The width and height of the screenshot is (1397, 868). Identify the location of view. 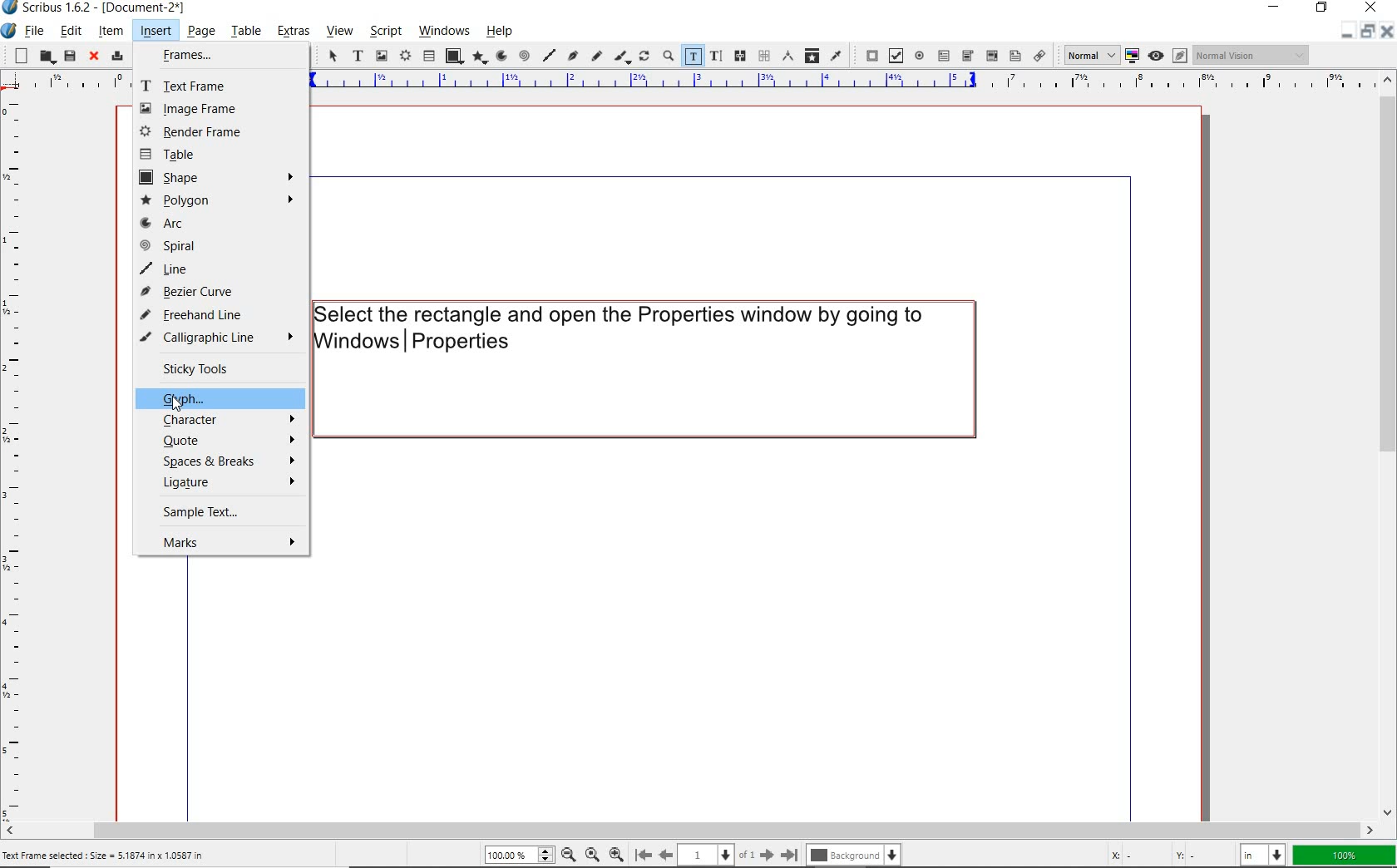
(338, 33).